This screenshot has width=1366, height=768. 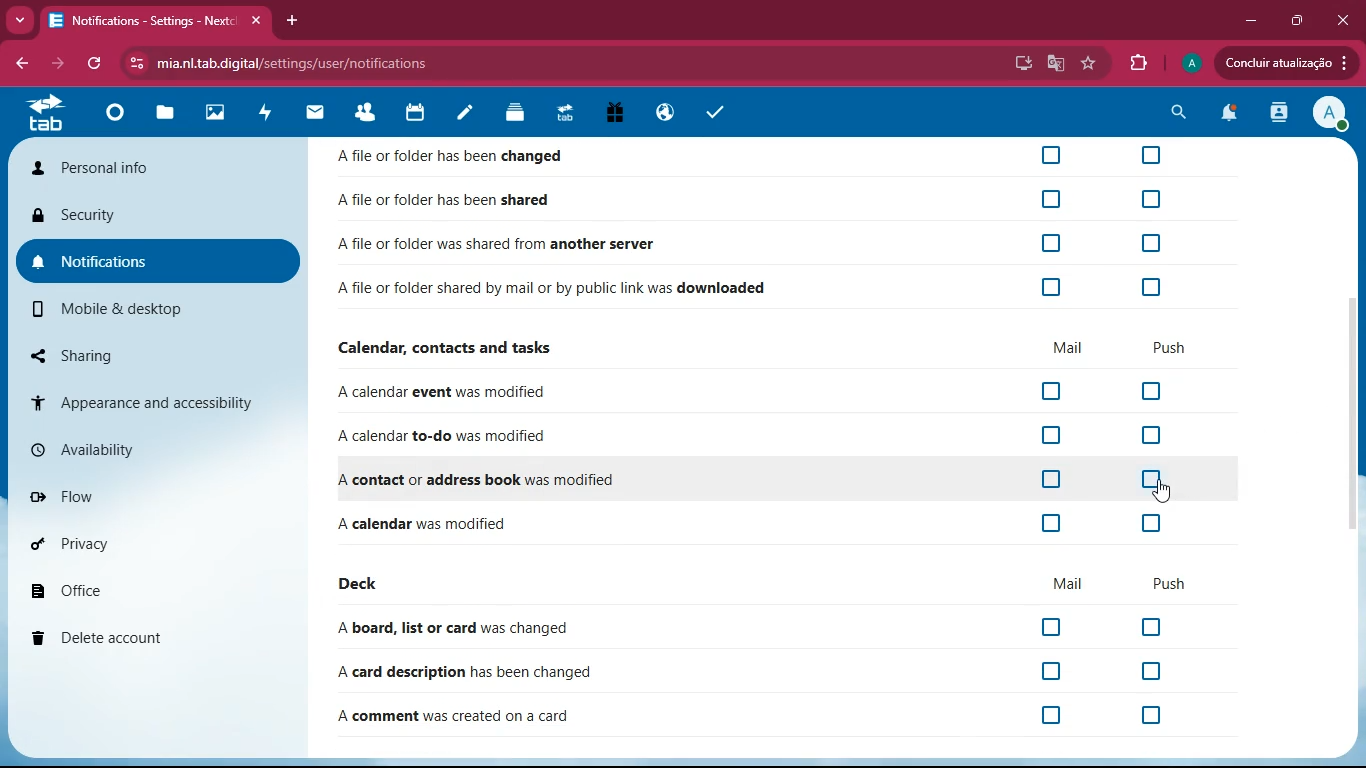 What do you see at coordinates (495, 244) in the screenshot?
I see `A file or folder was shared from another server` at bounding box center [495, 244].